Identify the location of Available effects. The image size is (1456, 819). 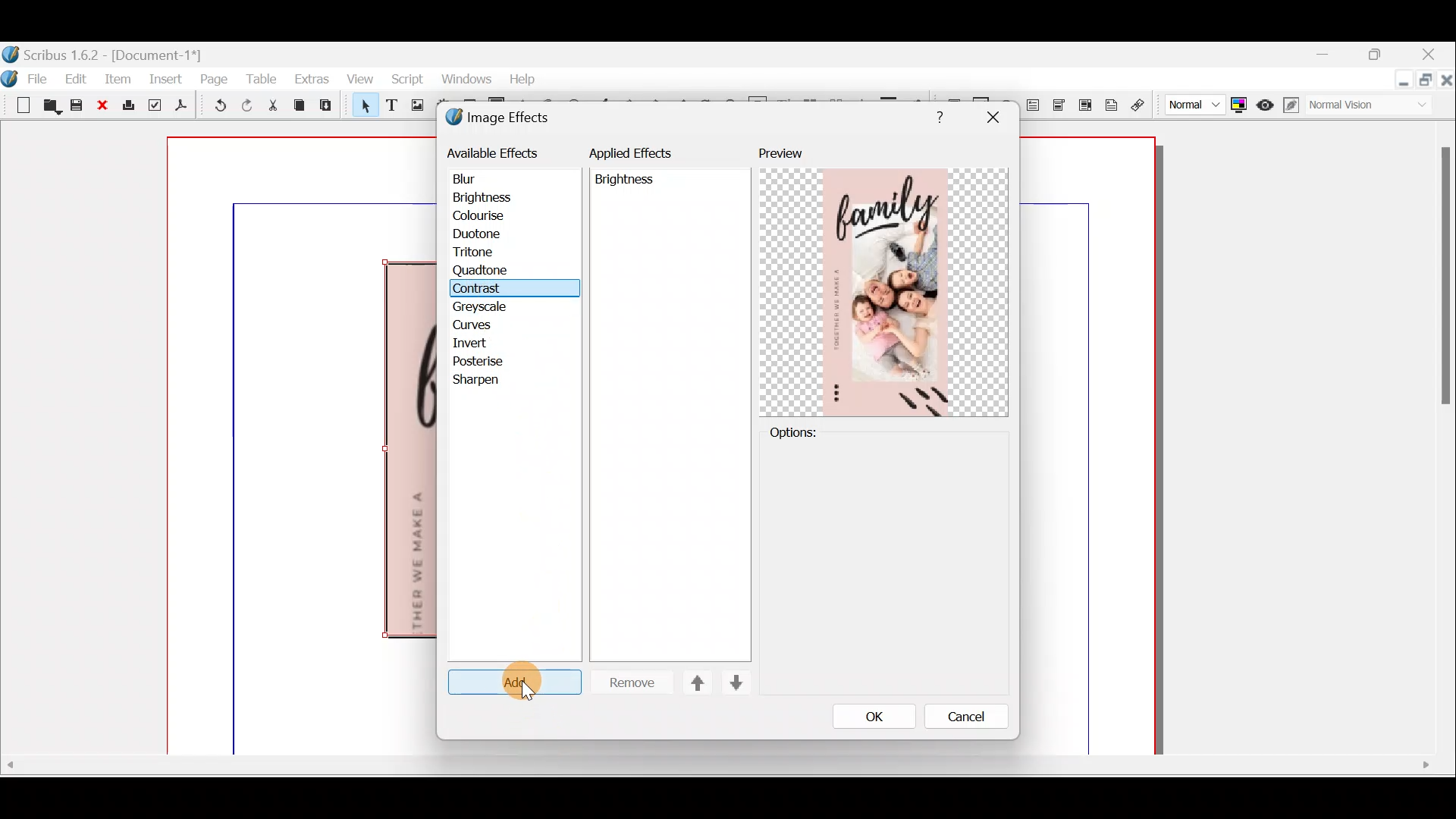
(495, 152).